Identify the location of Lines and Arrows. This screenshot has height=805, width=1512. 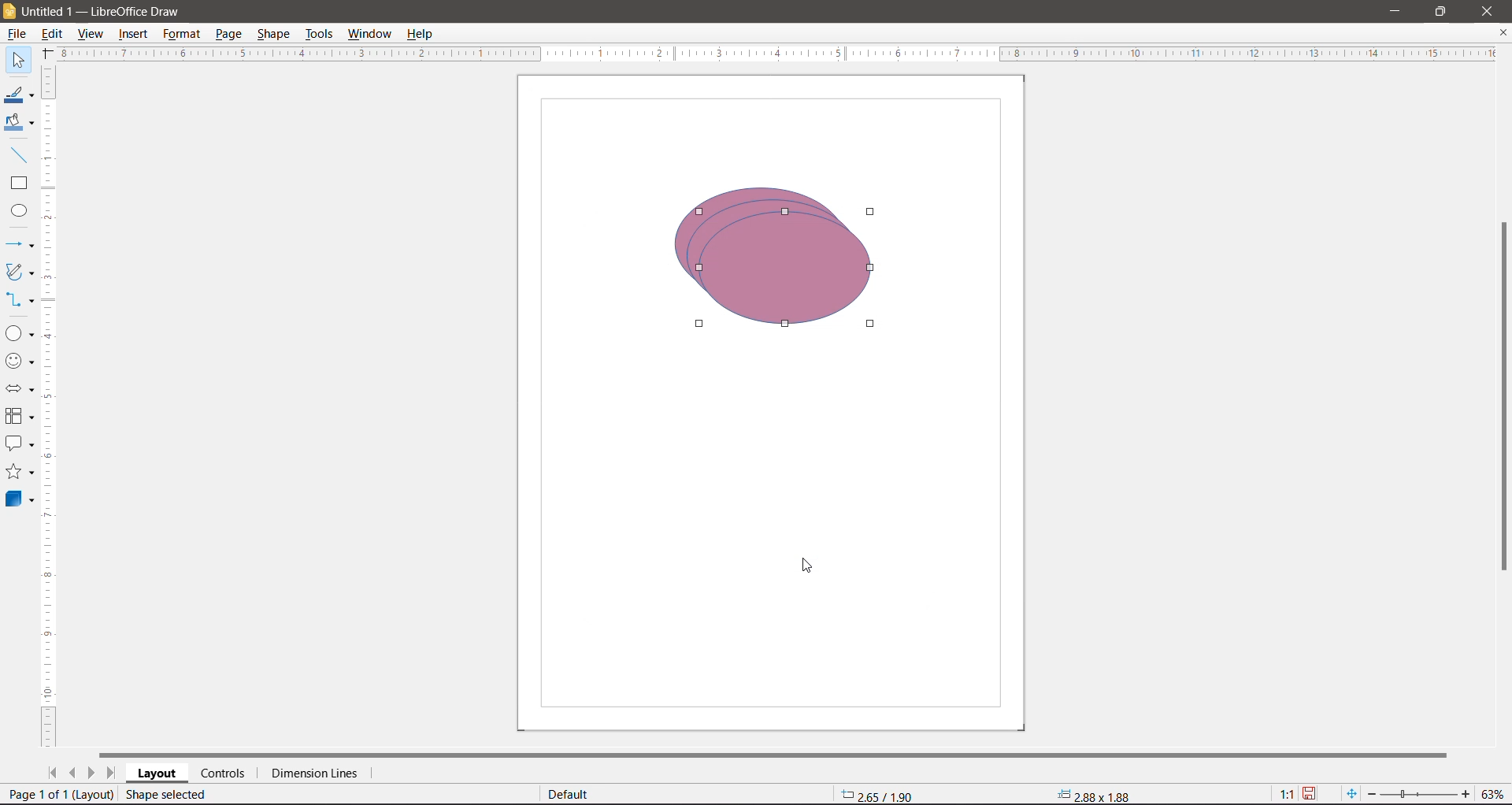
(20, 244).